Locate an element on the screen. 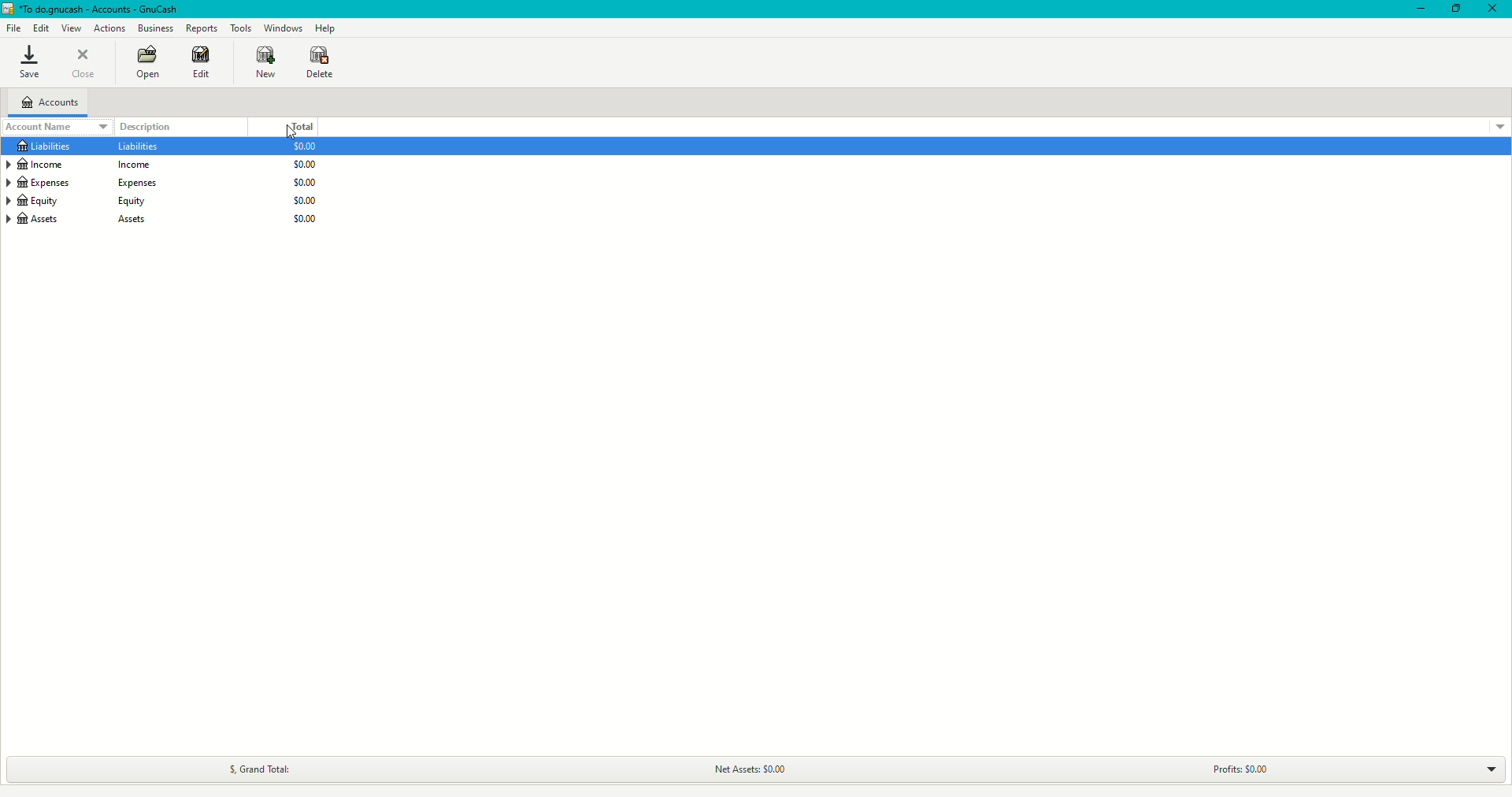 This screenshot has width=1512, height=797. $0 is located at coordinates (304, 186).